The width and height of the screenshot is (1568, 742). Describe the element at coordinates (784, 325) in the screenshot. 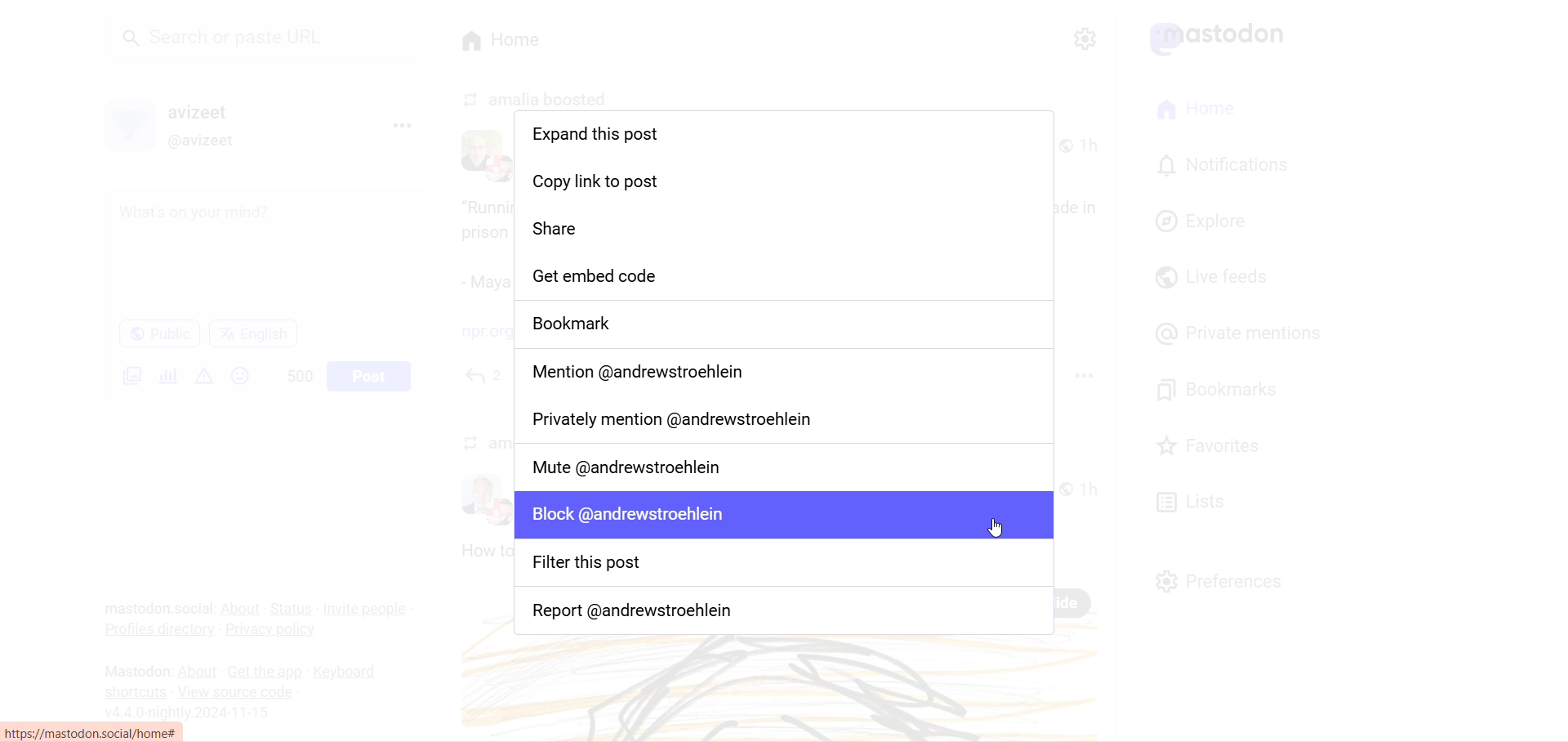

I see `Bookmark` at that location.